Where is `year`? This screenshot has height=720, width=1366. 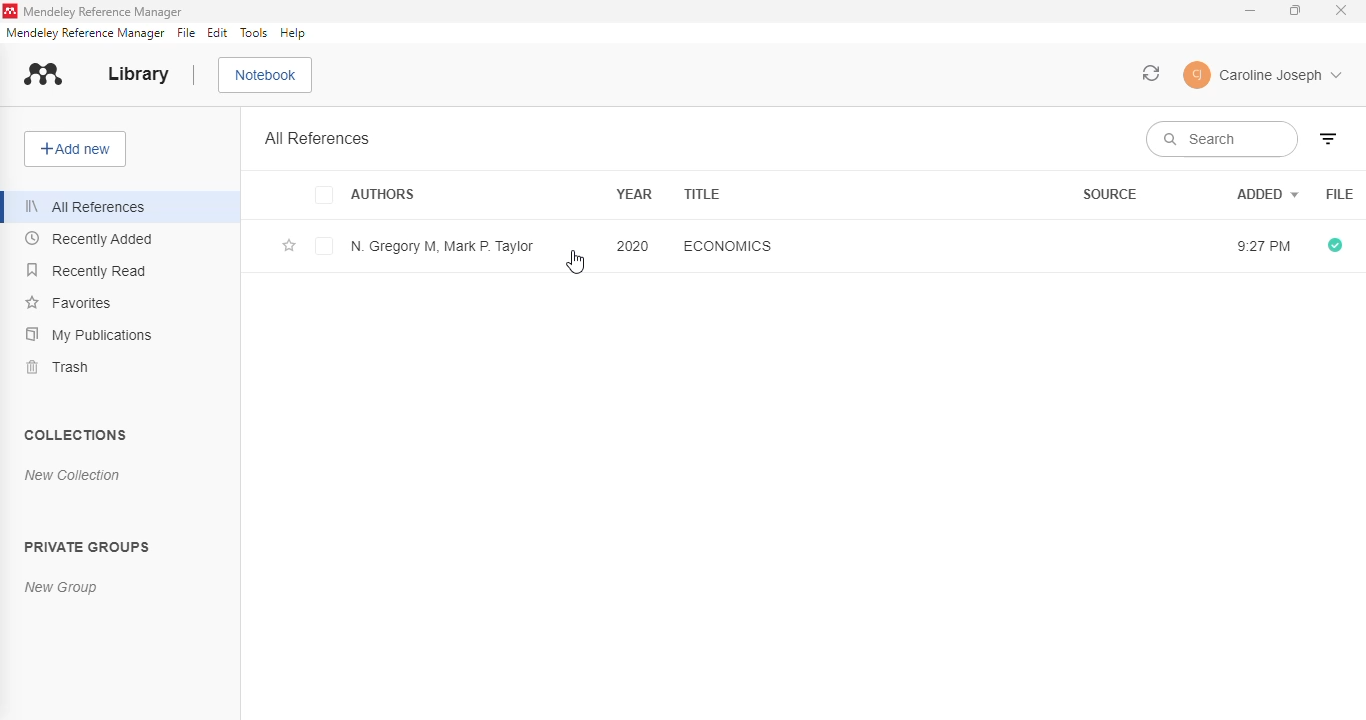 year is located at coordinates (634, 193).